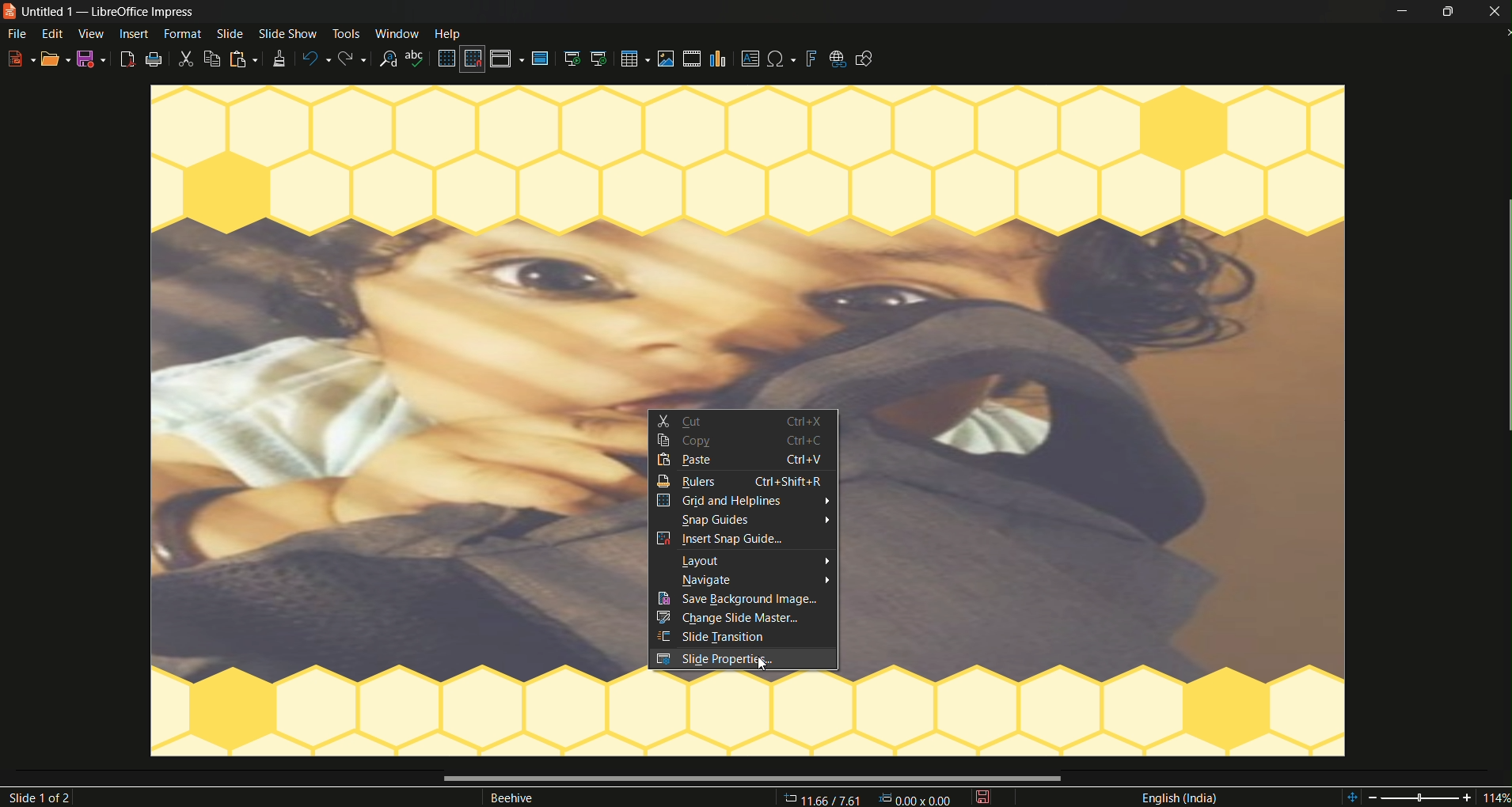 This screenshot has height=807, width=1512. What do you see at coordinates (398, 33) in the screenshot?
I see `window` at bounding box center [398, 33].